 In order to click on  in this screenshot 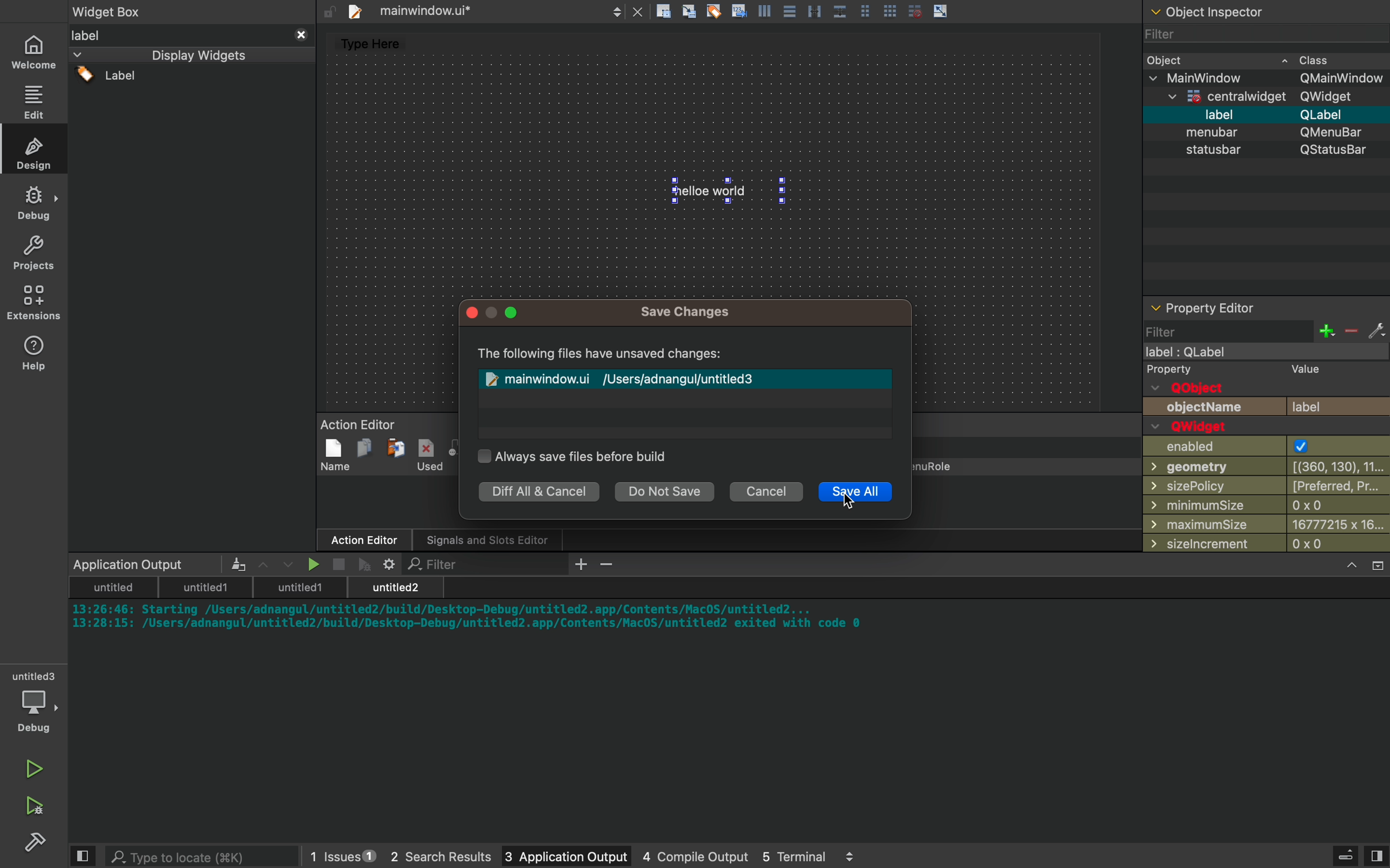, I will do `click(500, 540)`.